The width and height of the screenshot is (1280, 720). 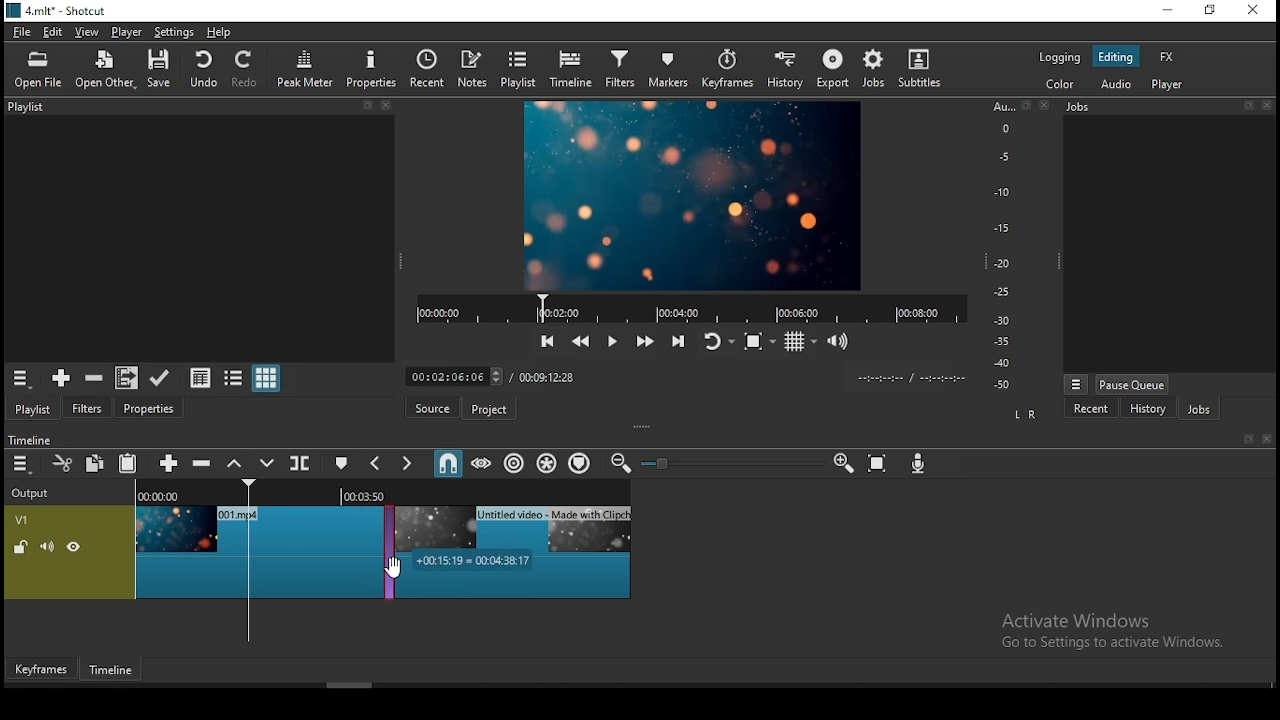 What do you see at coordinates (59, 378) in the screenshot?
I see `add the source to the playlist` at bounding box center [59, 378].